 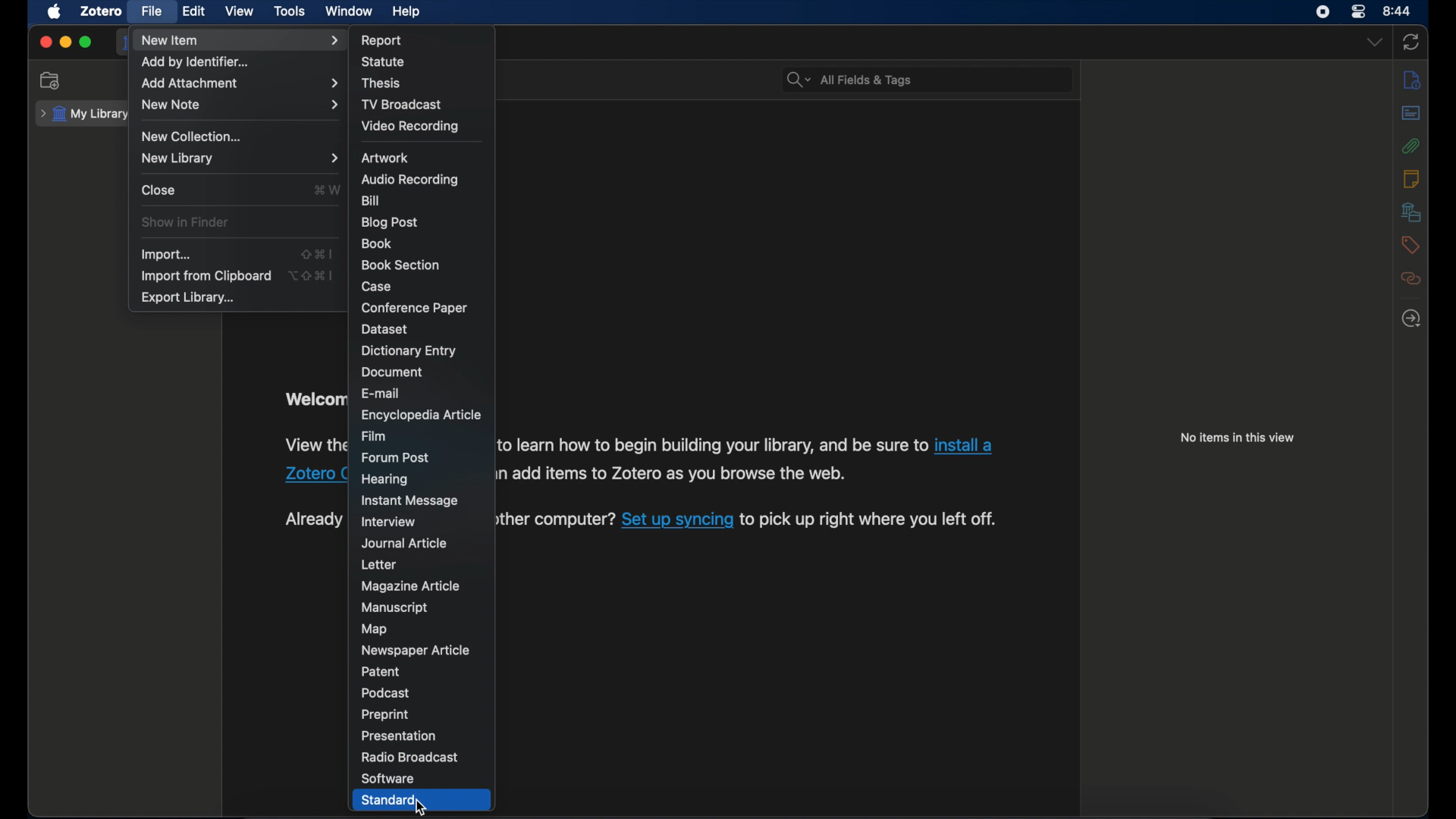 I want to click on film, so click(x=378, y=436).